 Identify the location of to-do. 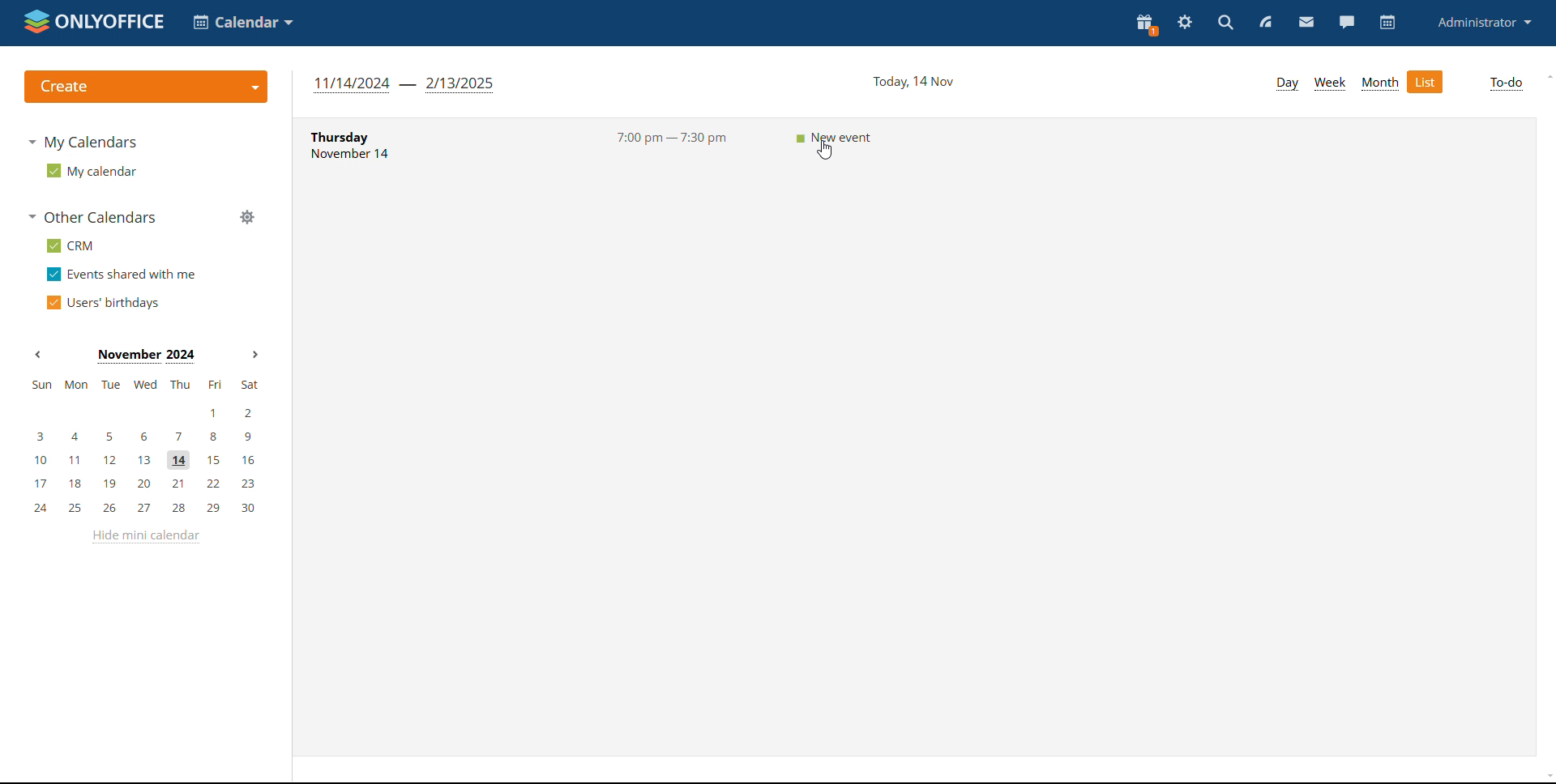
(1507, 84).